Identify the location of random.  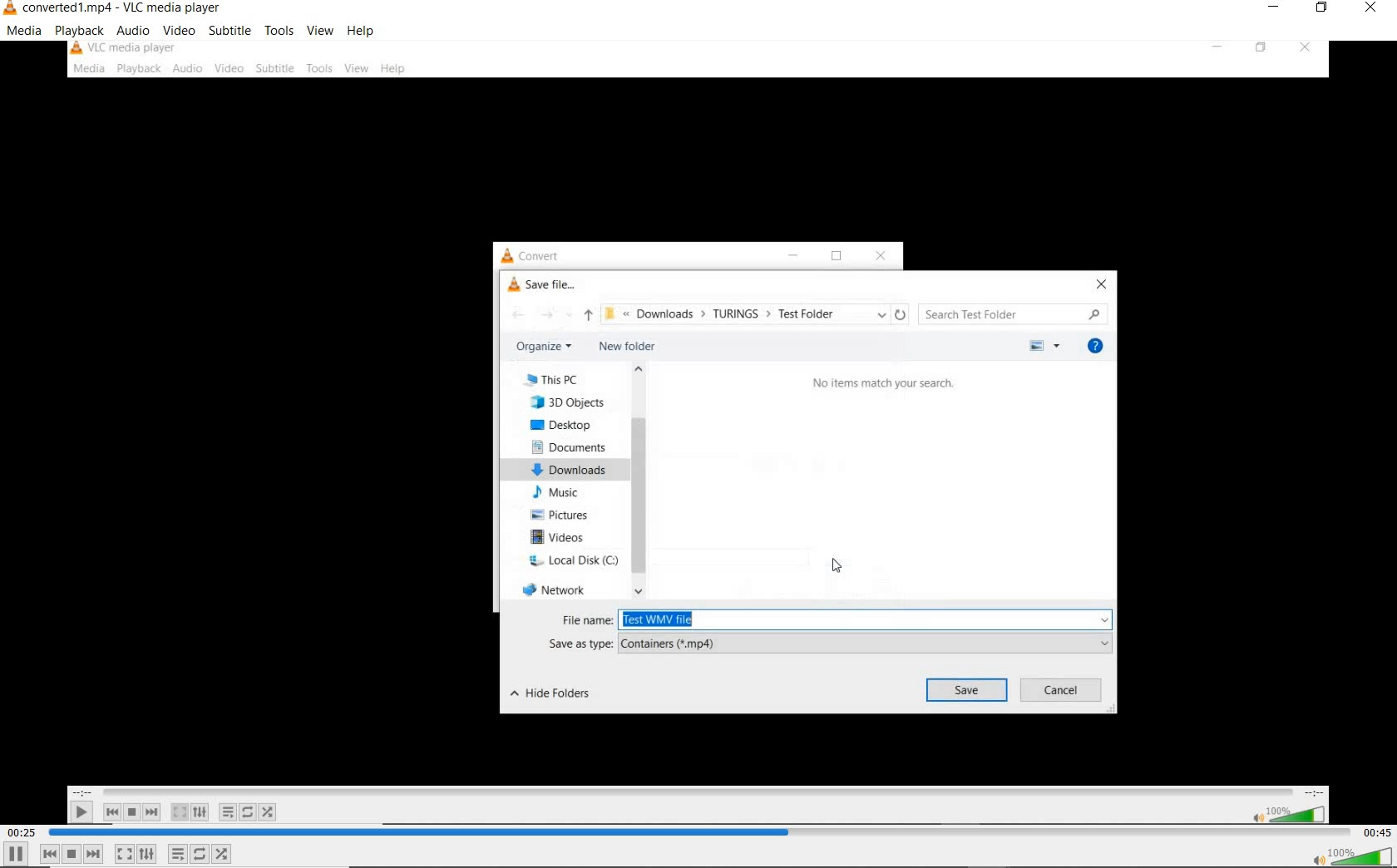
(220, 855).